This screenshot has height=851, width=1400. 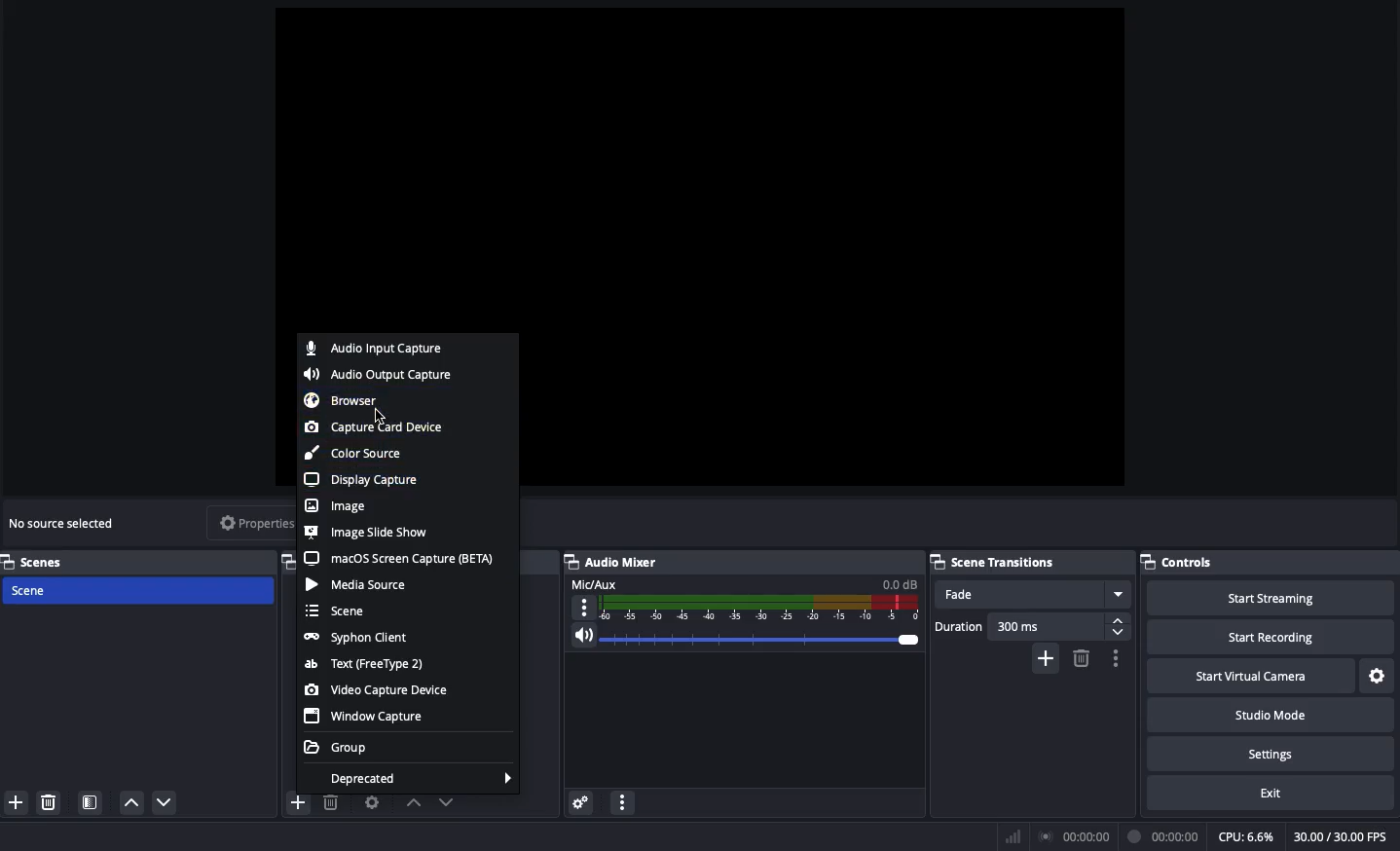 I want to click on Duration, so click(x=1027, y=626).